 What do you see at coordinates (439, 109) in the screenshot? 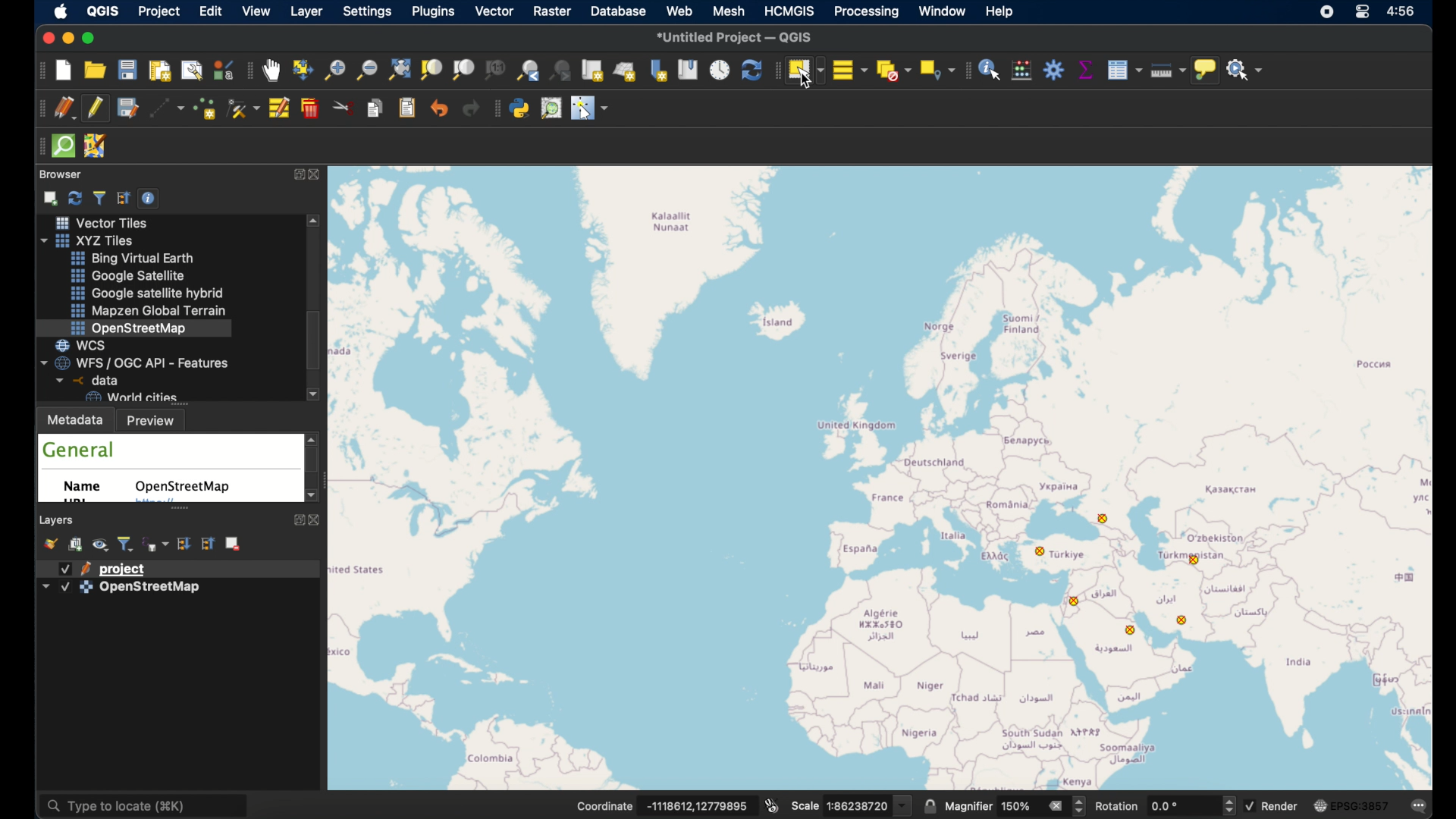
I see `undo` at bounding box center [439, 109].